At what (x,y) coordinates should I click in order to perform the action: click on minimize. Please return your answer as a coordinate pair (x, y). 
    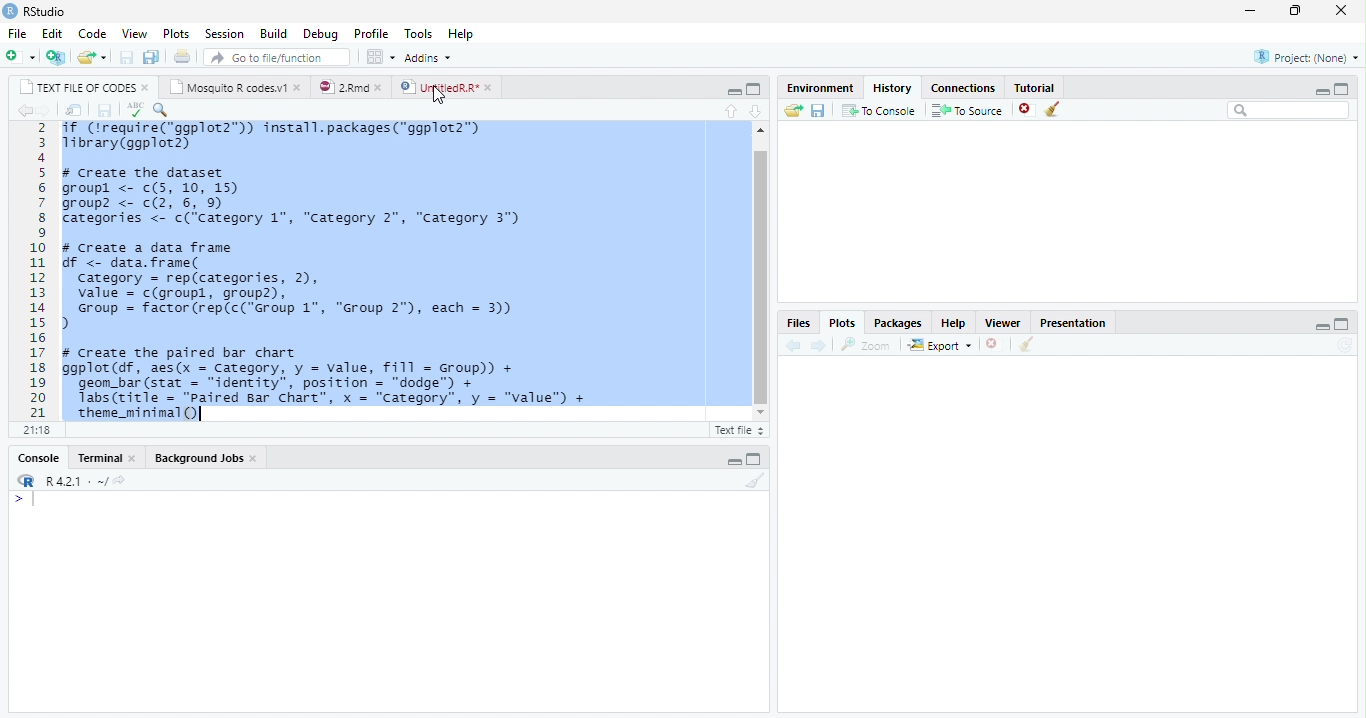
    Looking at the image, I should click on (733, 90).